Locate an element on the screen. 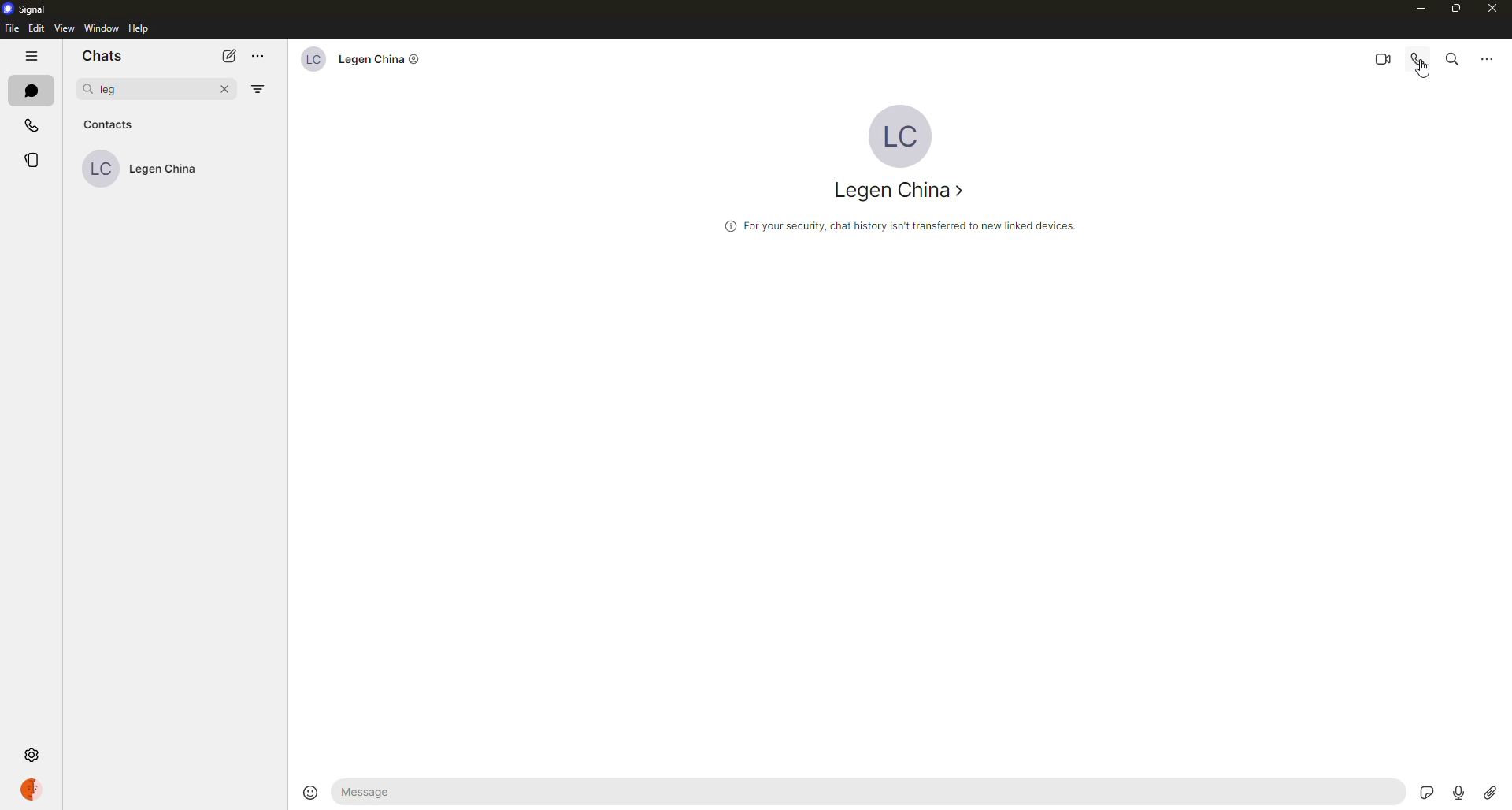  settings is located at coordinates (30, 755).